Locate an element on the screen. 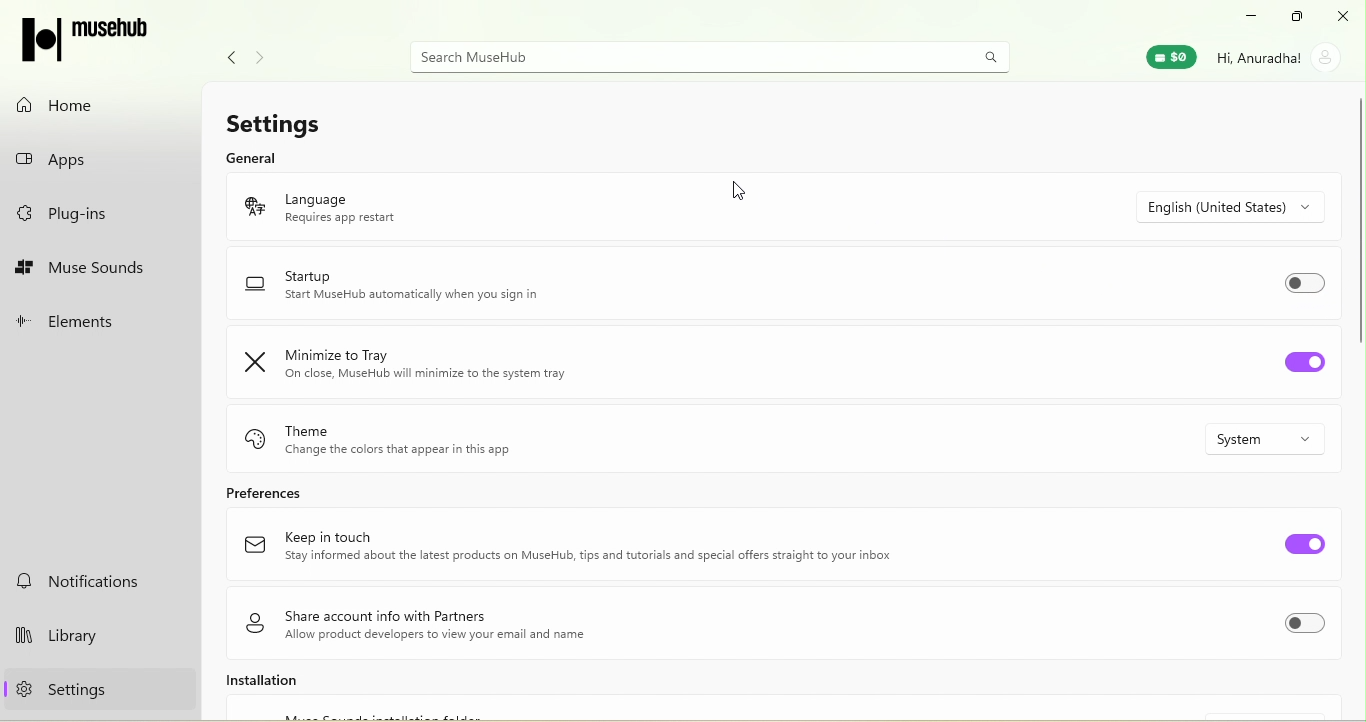  Toggle is located at coordinates (1311, 626).